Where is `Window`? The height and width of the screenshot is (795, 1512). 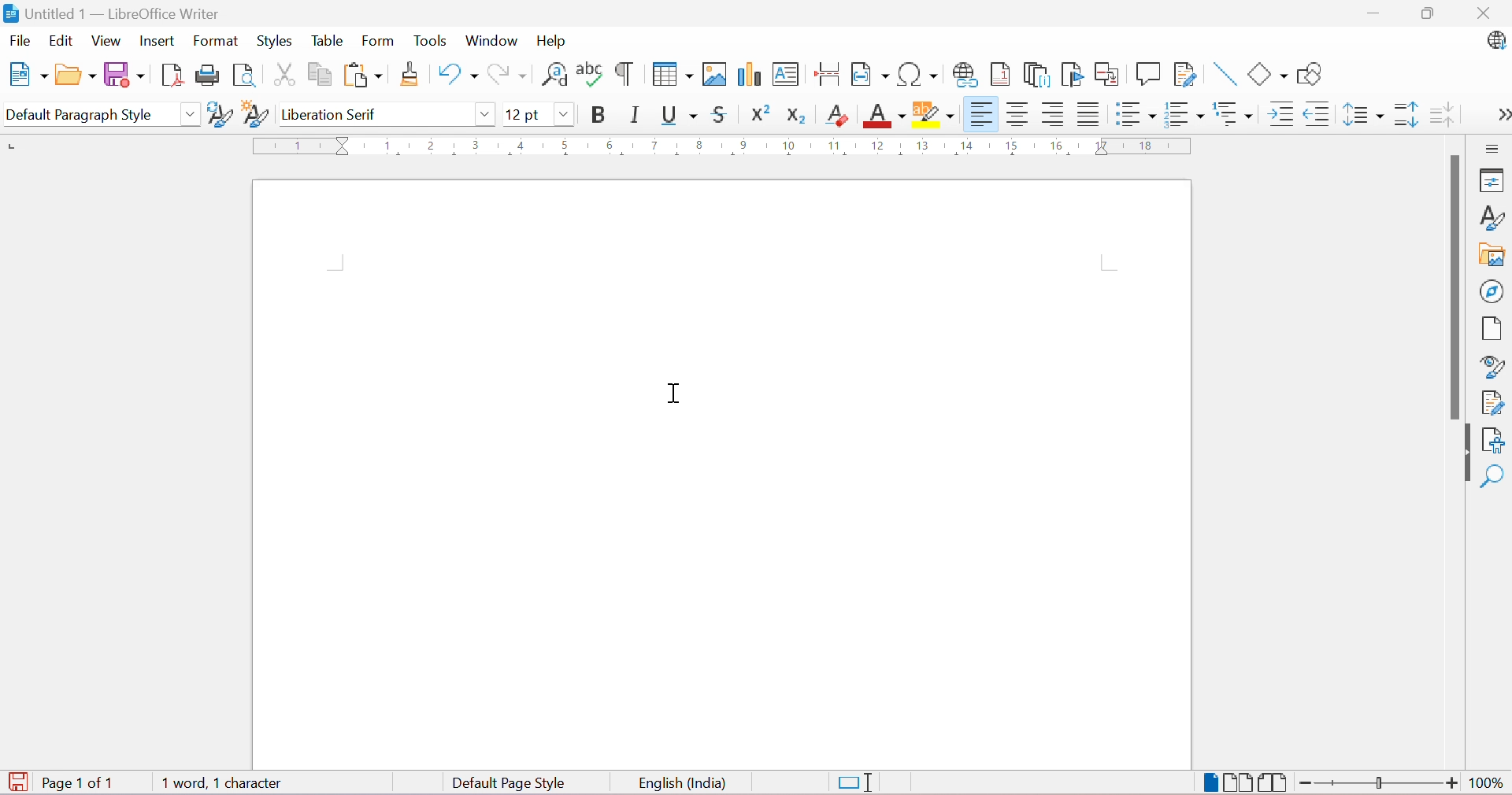
Window is located at coordinates (491, 40).